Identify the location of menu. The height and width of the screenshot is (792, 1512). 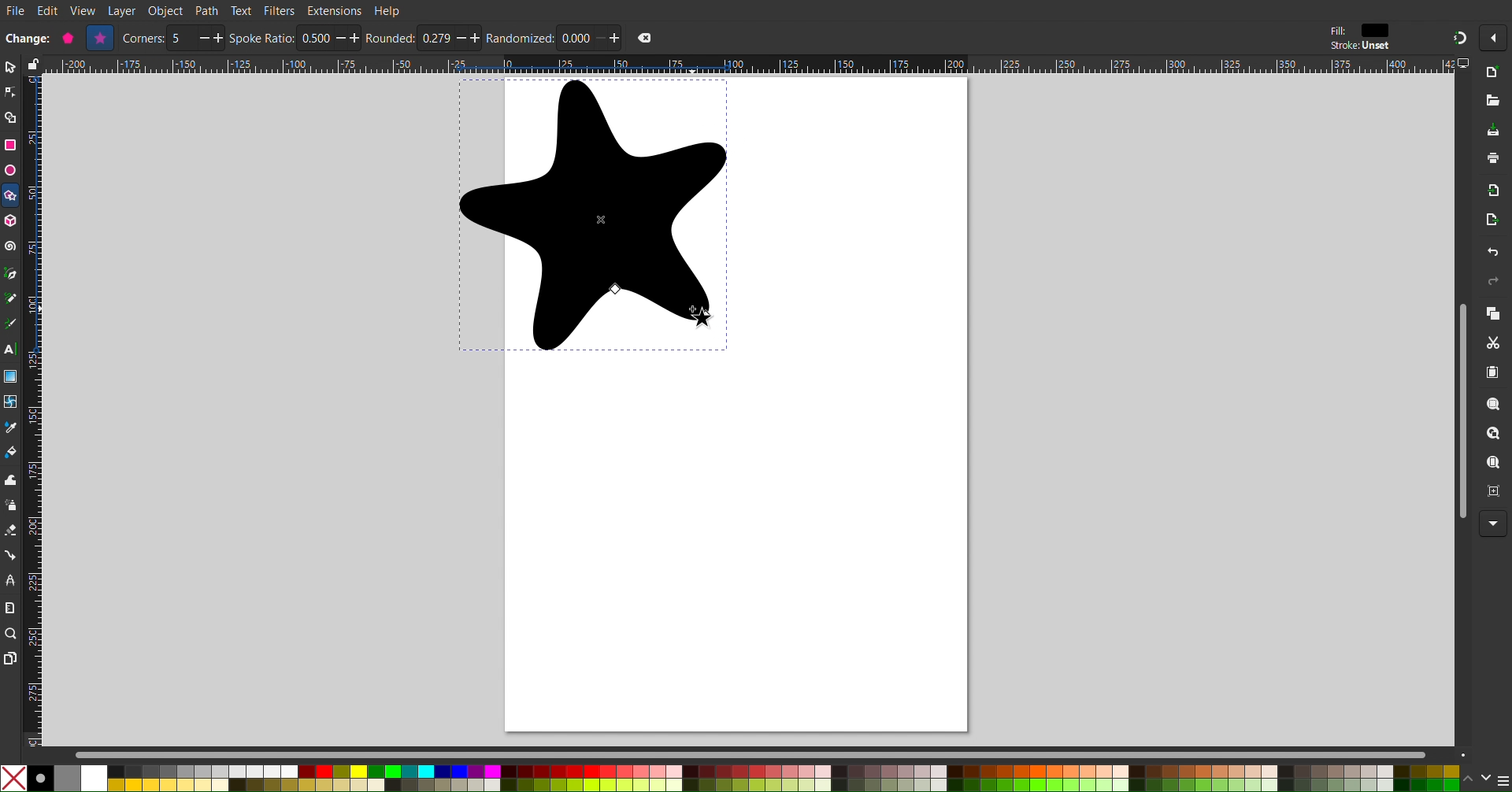
(1503, 780).